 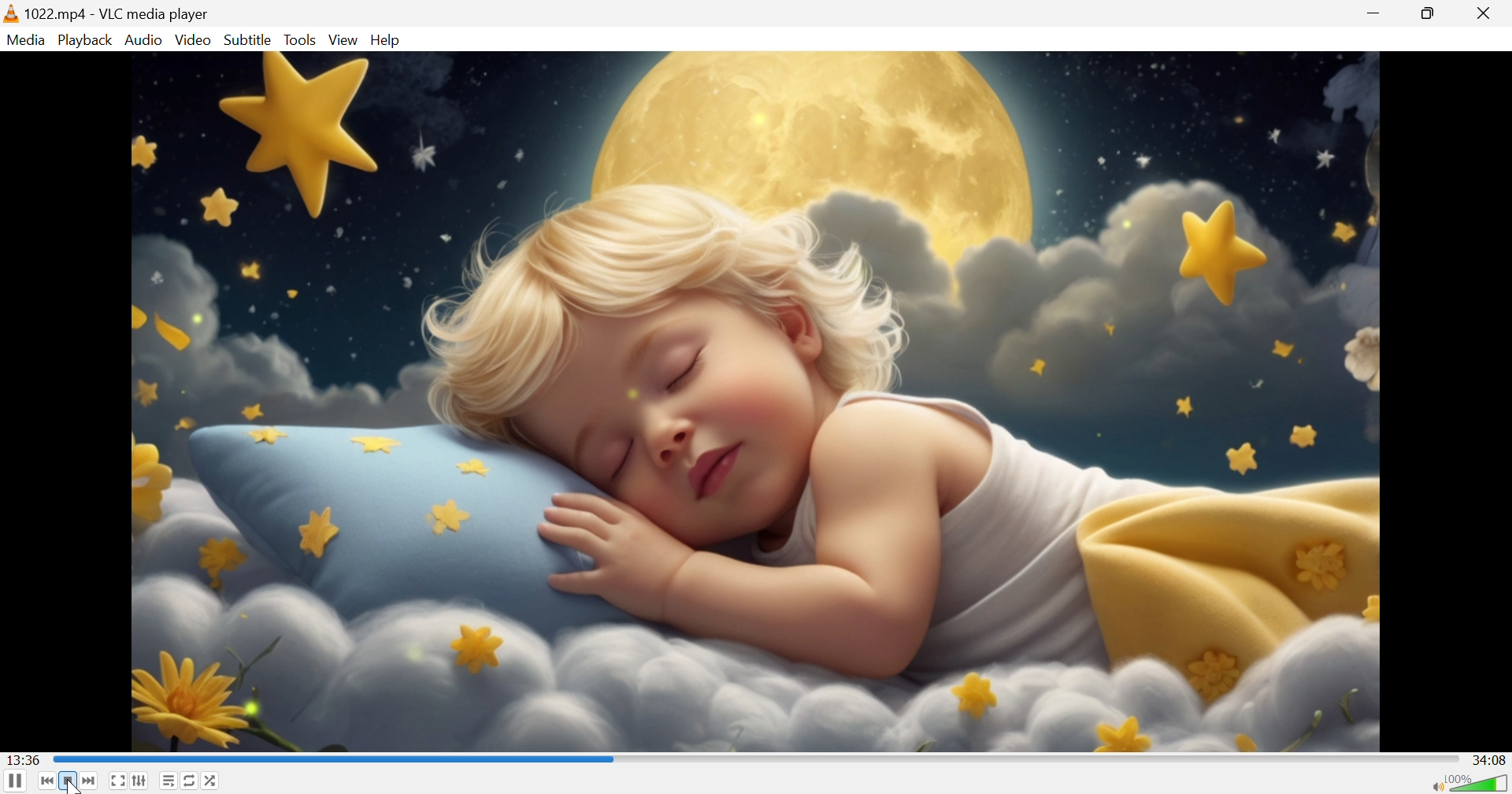 What do you see at coordinates (755, 402) in the screenshot?
I see `video` at bounding box center [755, 402].